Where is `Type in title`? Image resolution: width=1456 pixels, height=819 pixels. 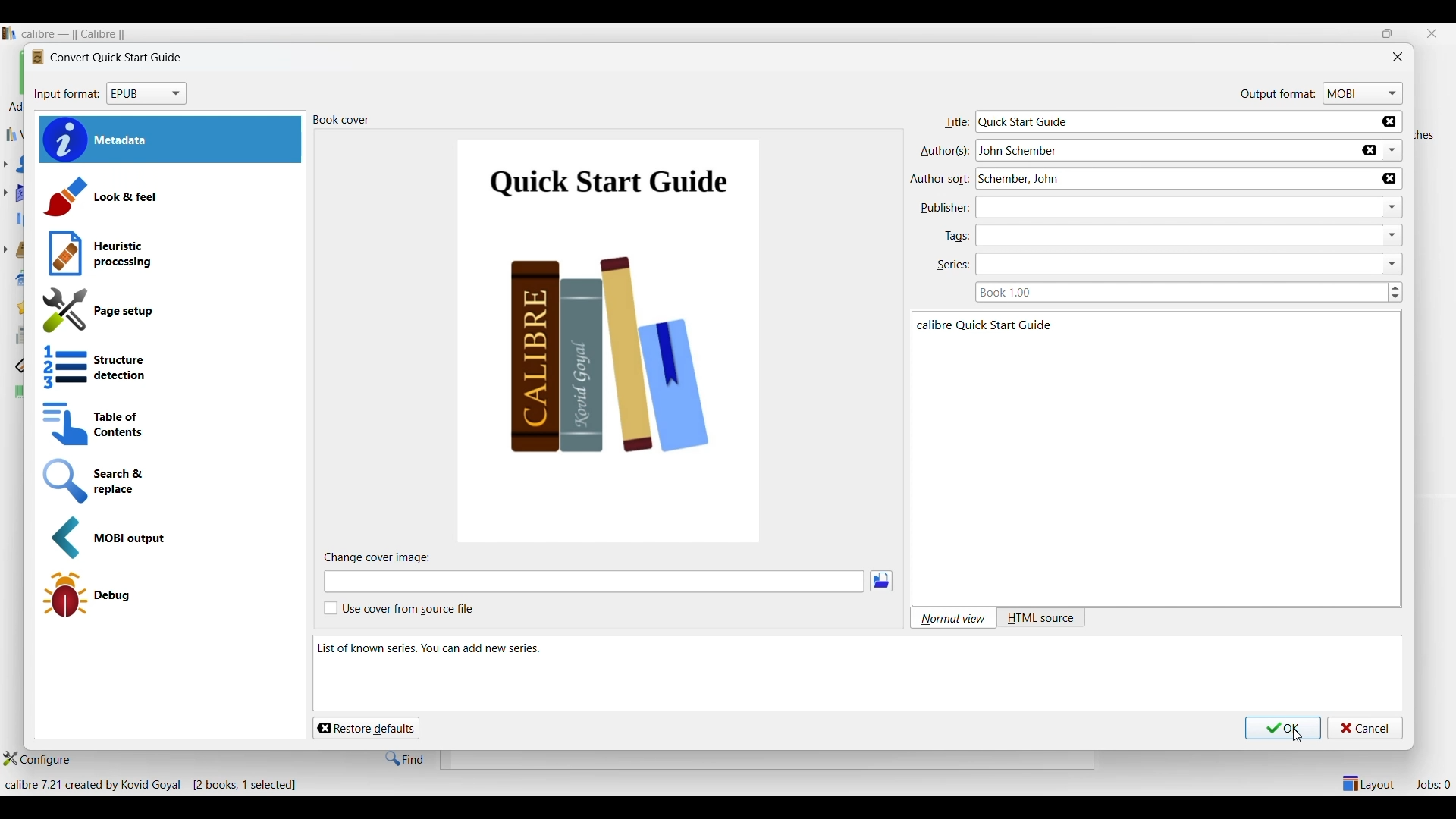 Type in title is located at coordinates (1177, 121).